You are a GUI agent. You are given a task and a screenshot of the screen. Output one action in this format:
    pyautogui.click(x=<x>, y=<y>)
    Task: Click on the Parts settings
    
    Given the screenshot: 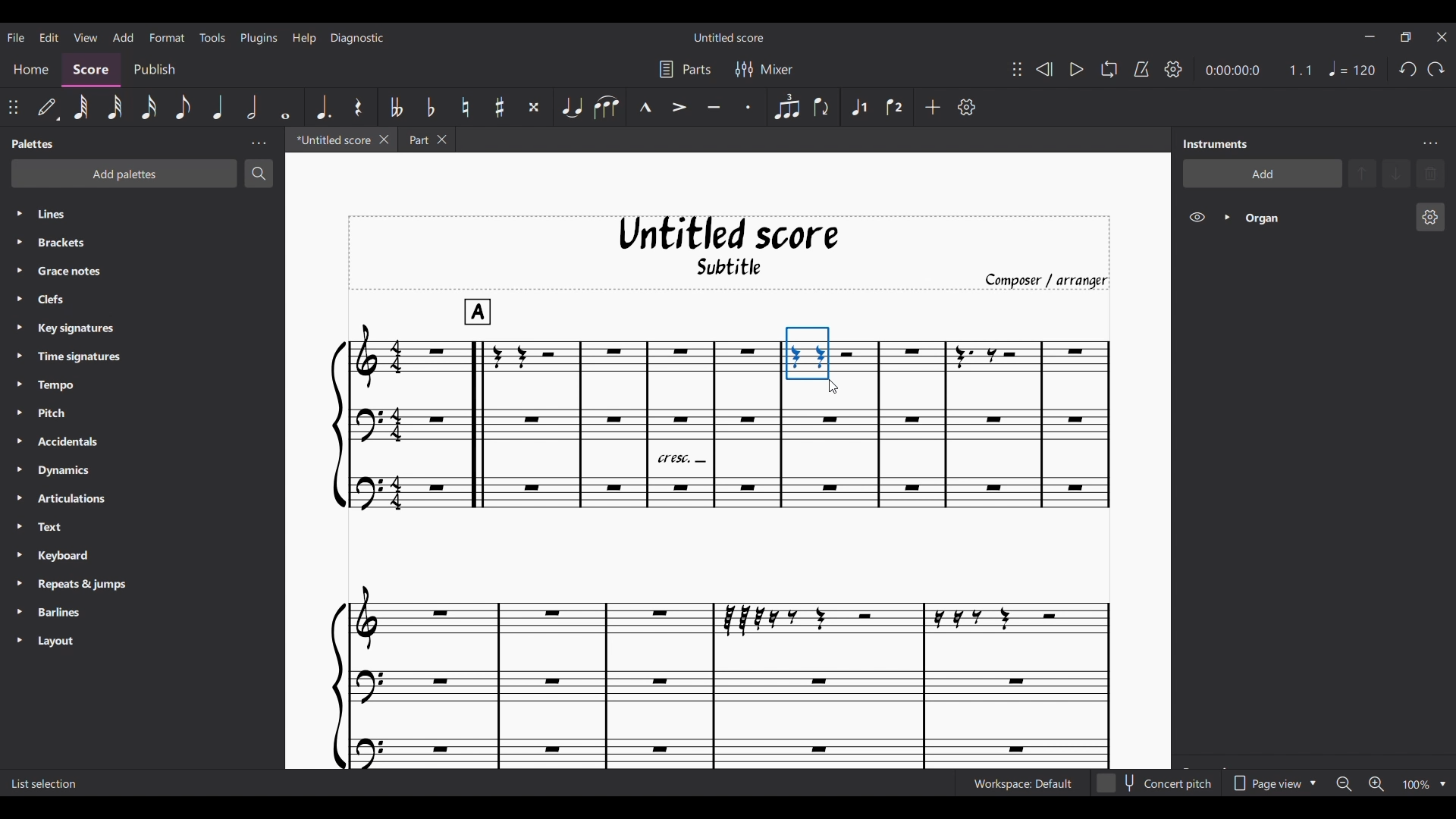 What is the action you would take?
    pyautogui.click(x=685, y=70)
    